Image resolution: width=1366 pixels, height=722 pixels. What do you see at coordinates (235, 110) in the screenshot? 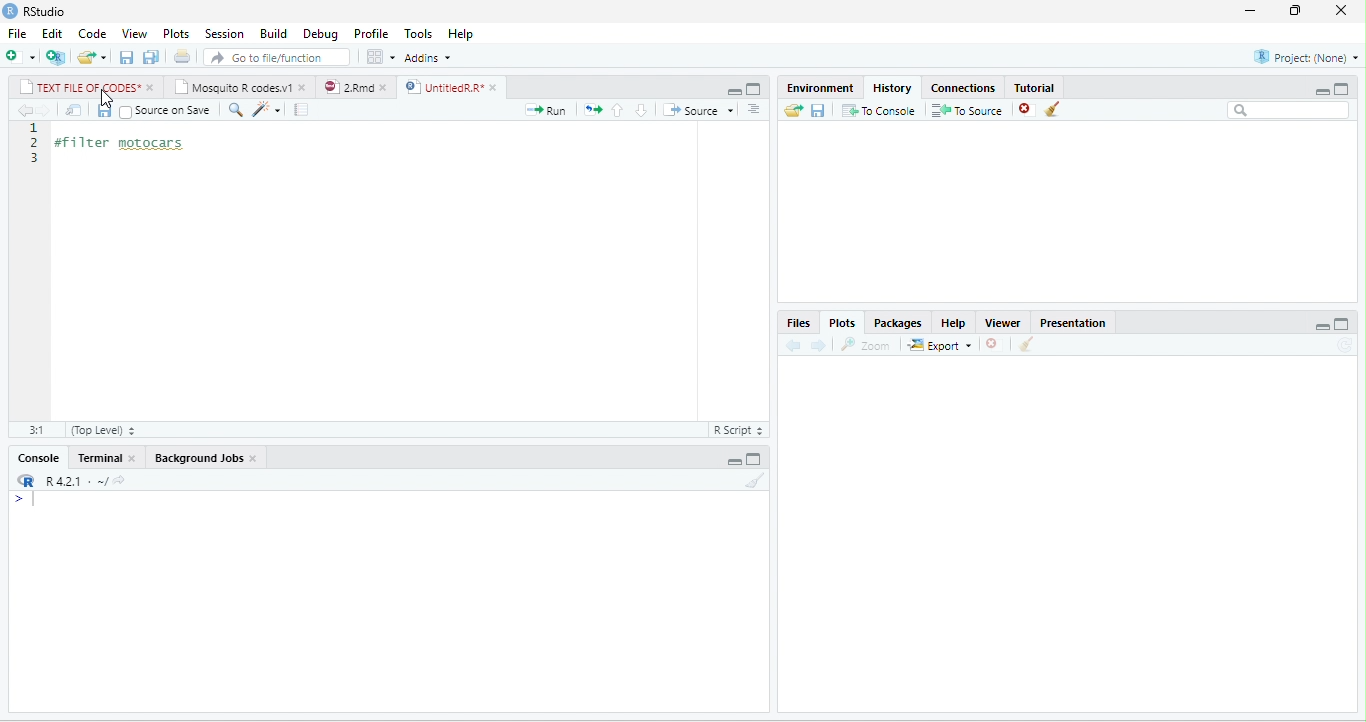
I see `search` at bounding box center [235, 110].